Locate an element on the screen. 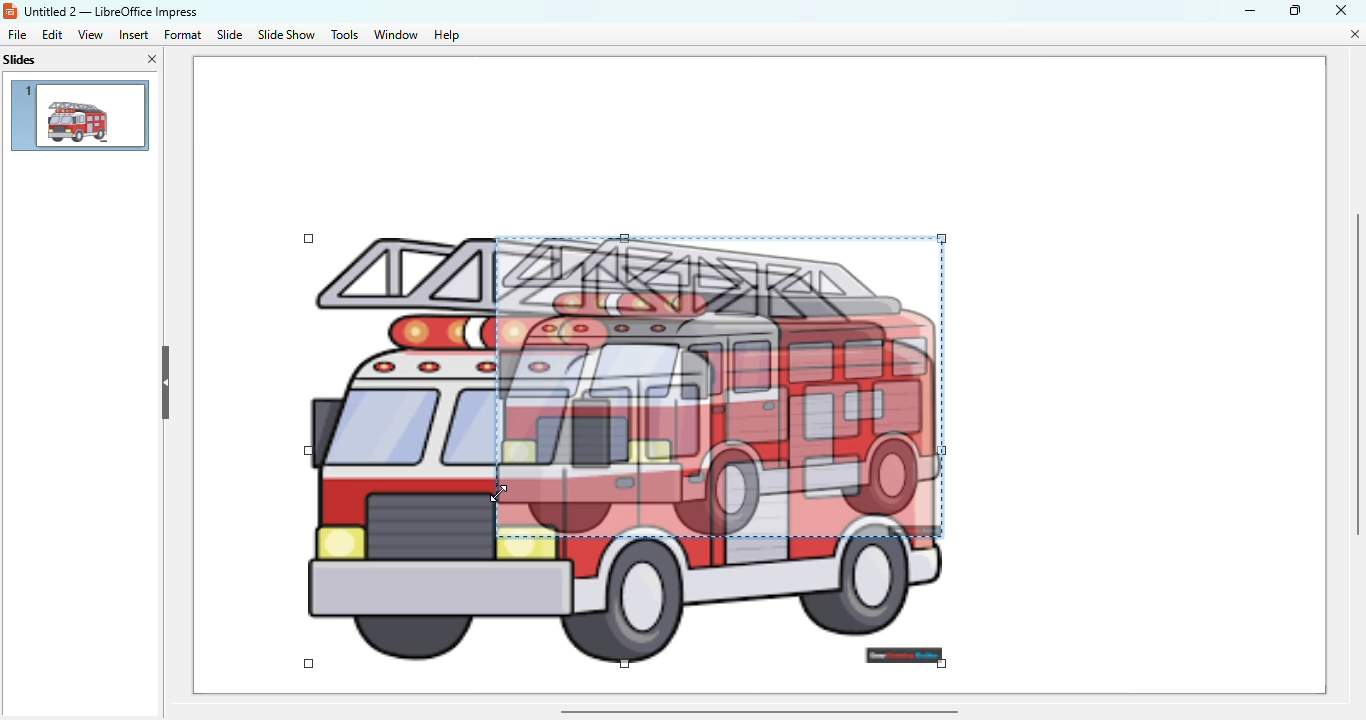  title is located at coordinates (111, 11).